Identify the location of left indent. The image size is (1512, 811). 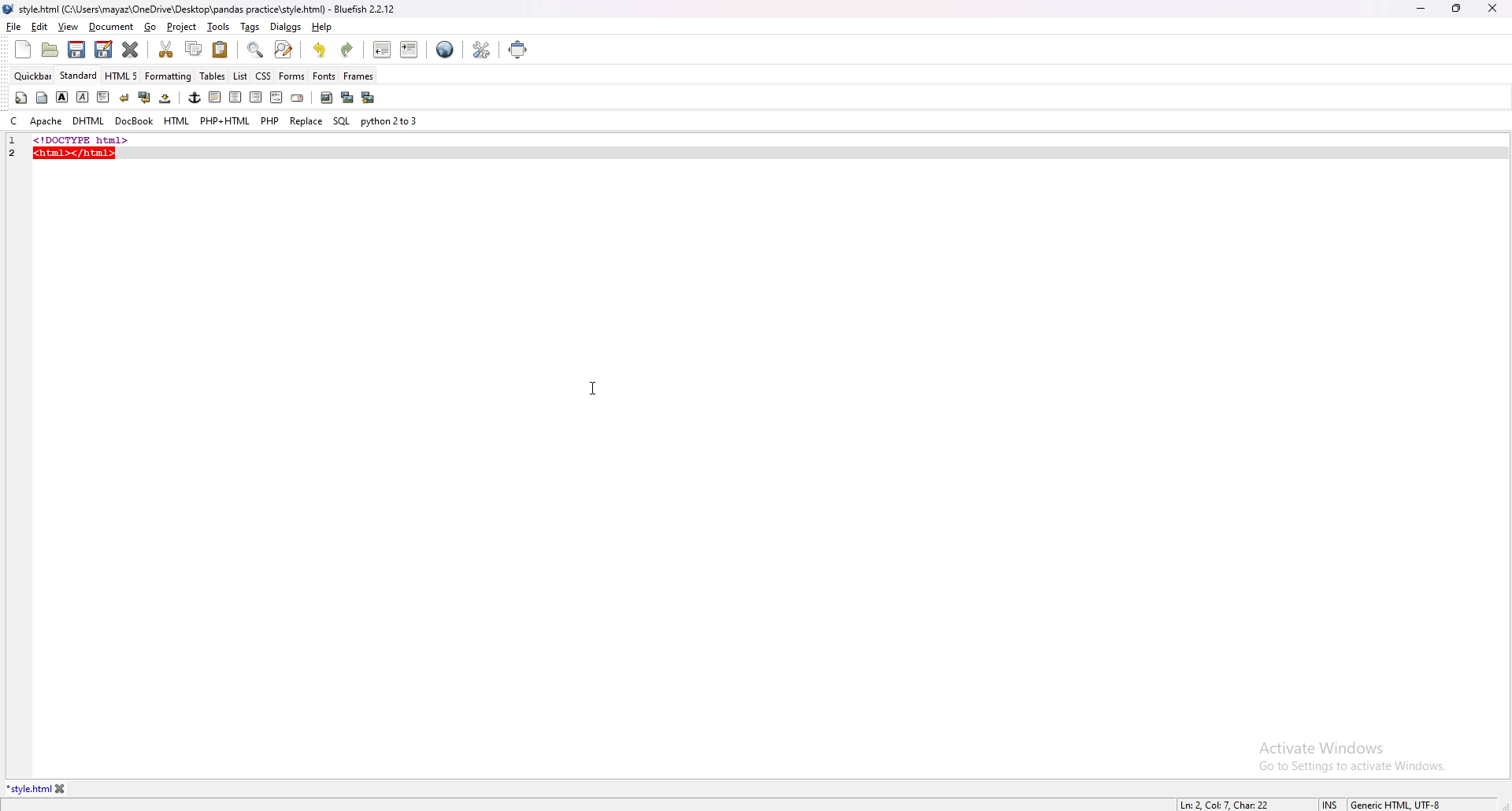
(213, 97).